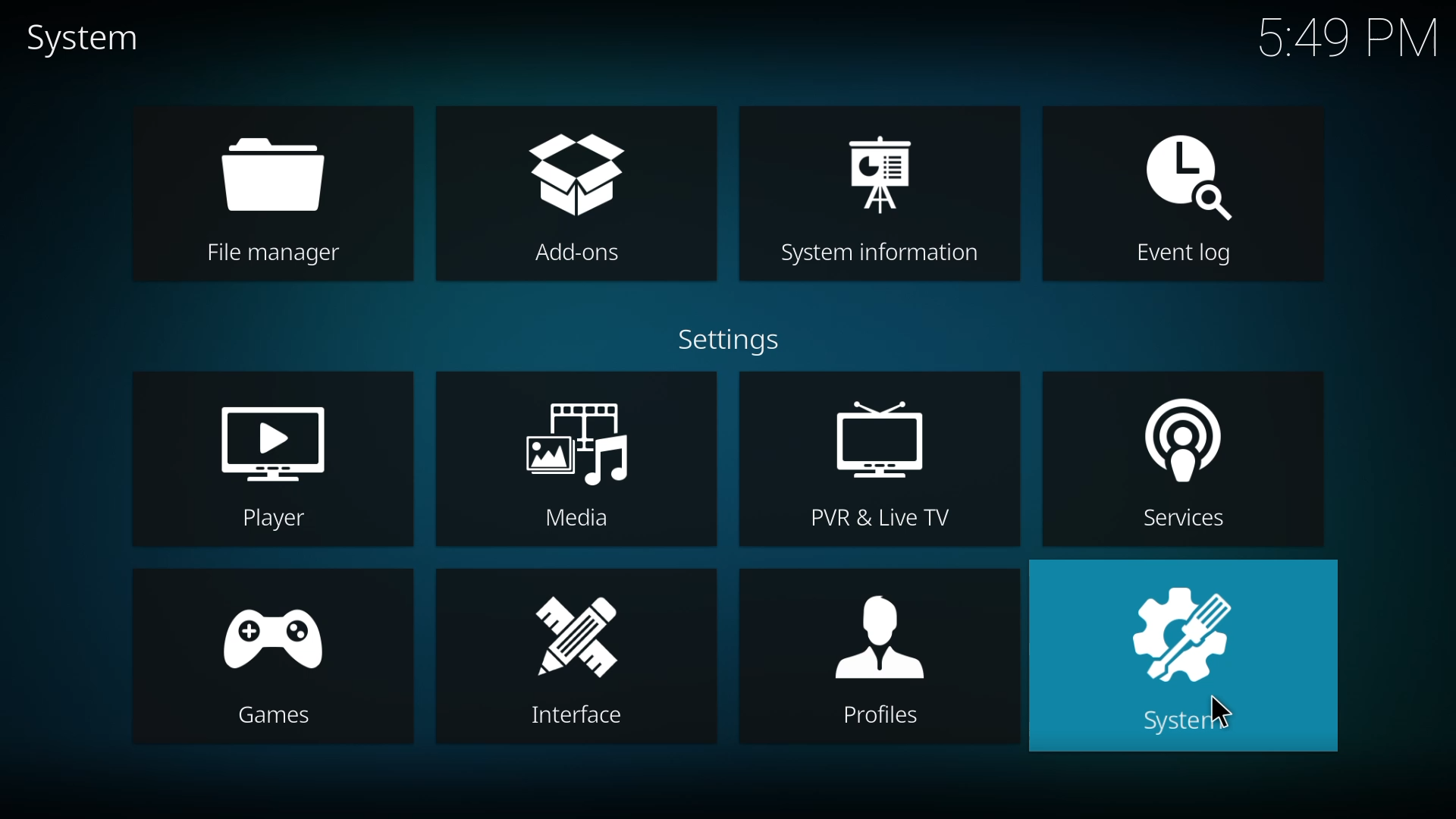 The image size is (1456, 819). I want to click on settings, so click(733, 342).